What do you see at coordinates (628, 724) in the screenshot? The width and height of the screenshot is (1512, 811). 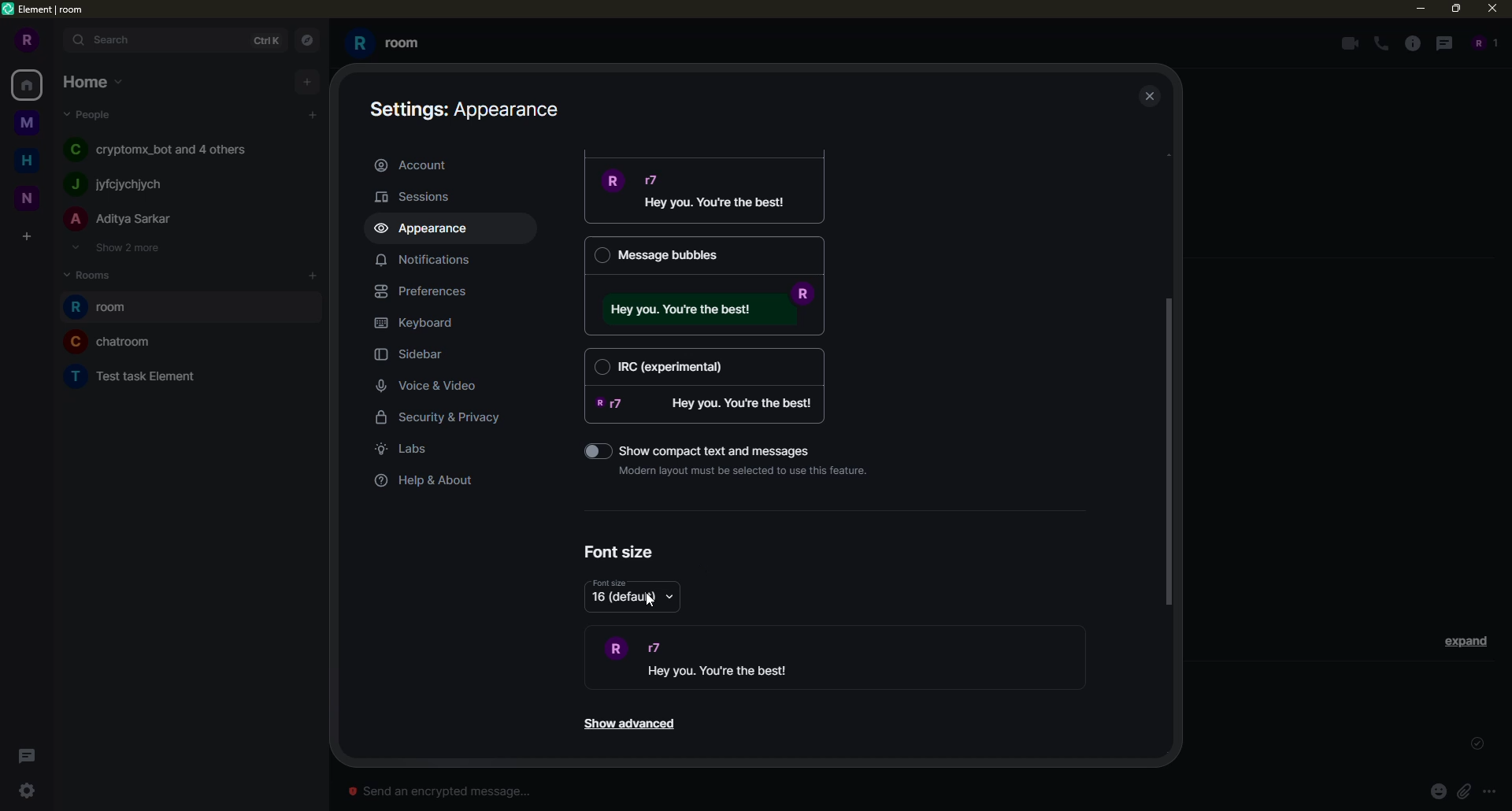 I see `show advanced` at bounding box center [628, 724].